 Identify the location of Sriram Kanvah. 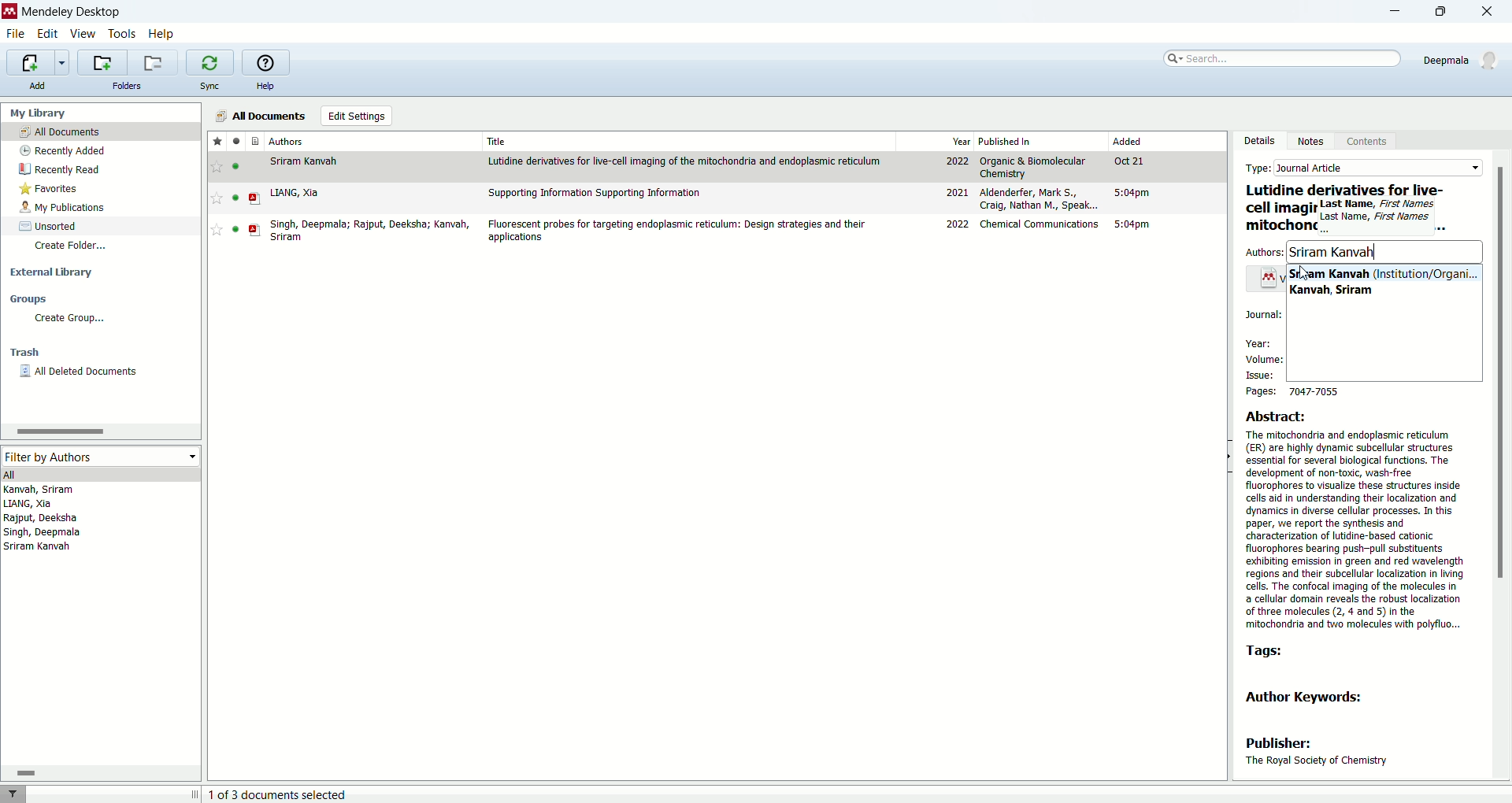
(303, 161).